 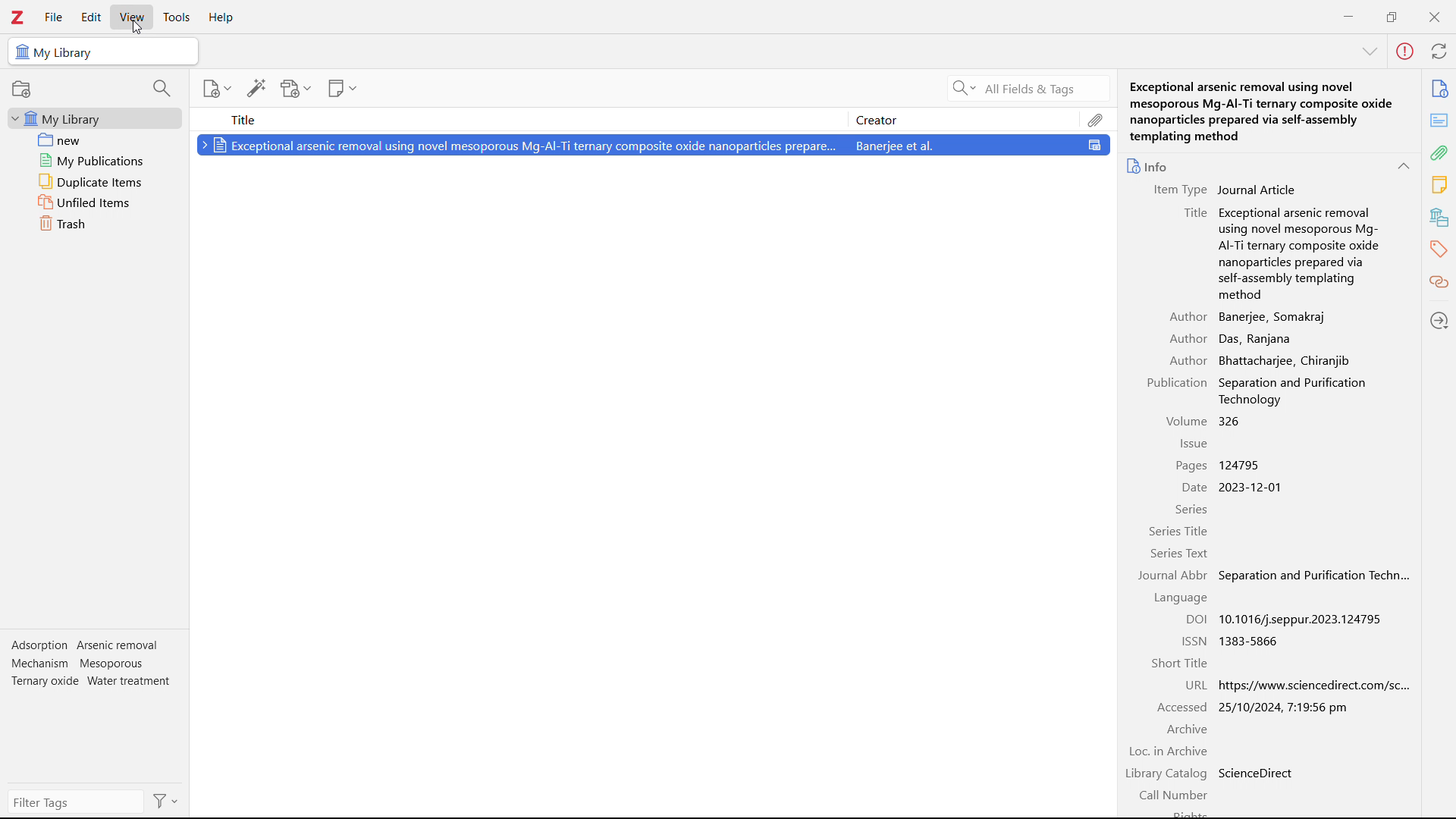 What do you see at coordinates (1175, 383) in the screenshot?
I see `Publication` at bounding box center [1175, 383].